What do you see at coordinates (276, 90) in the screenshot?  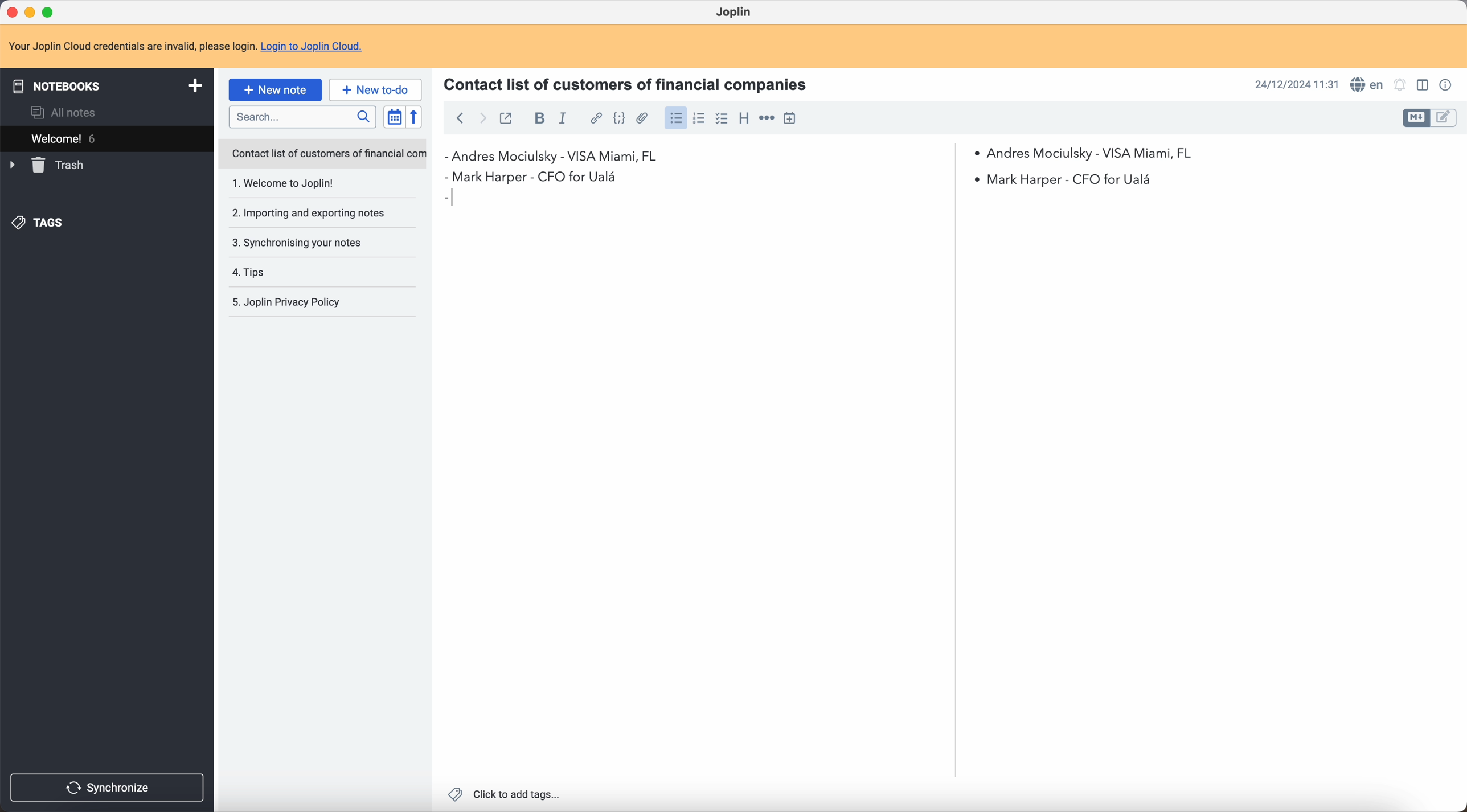 I see `click on new note` at bounding box center [276, 90].